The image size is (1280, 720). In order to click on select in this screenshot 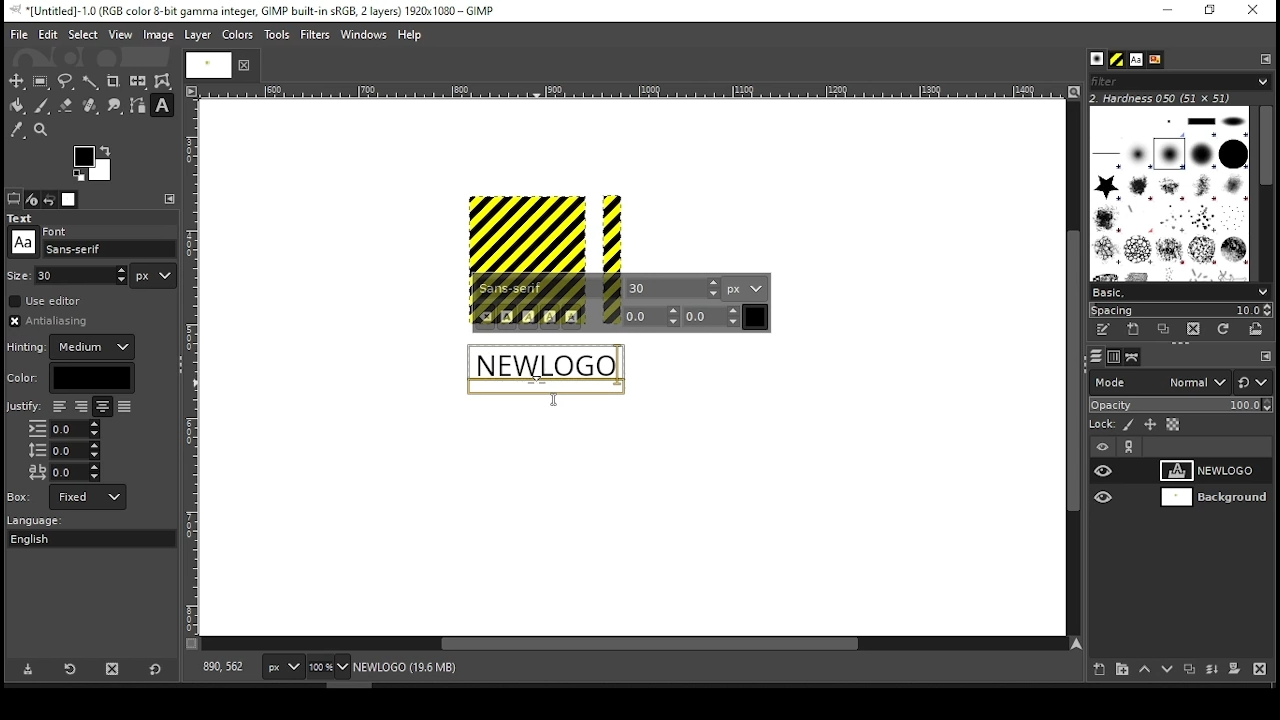, I will do `click(82, 33)`.